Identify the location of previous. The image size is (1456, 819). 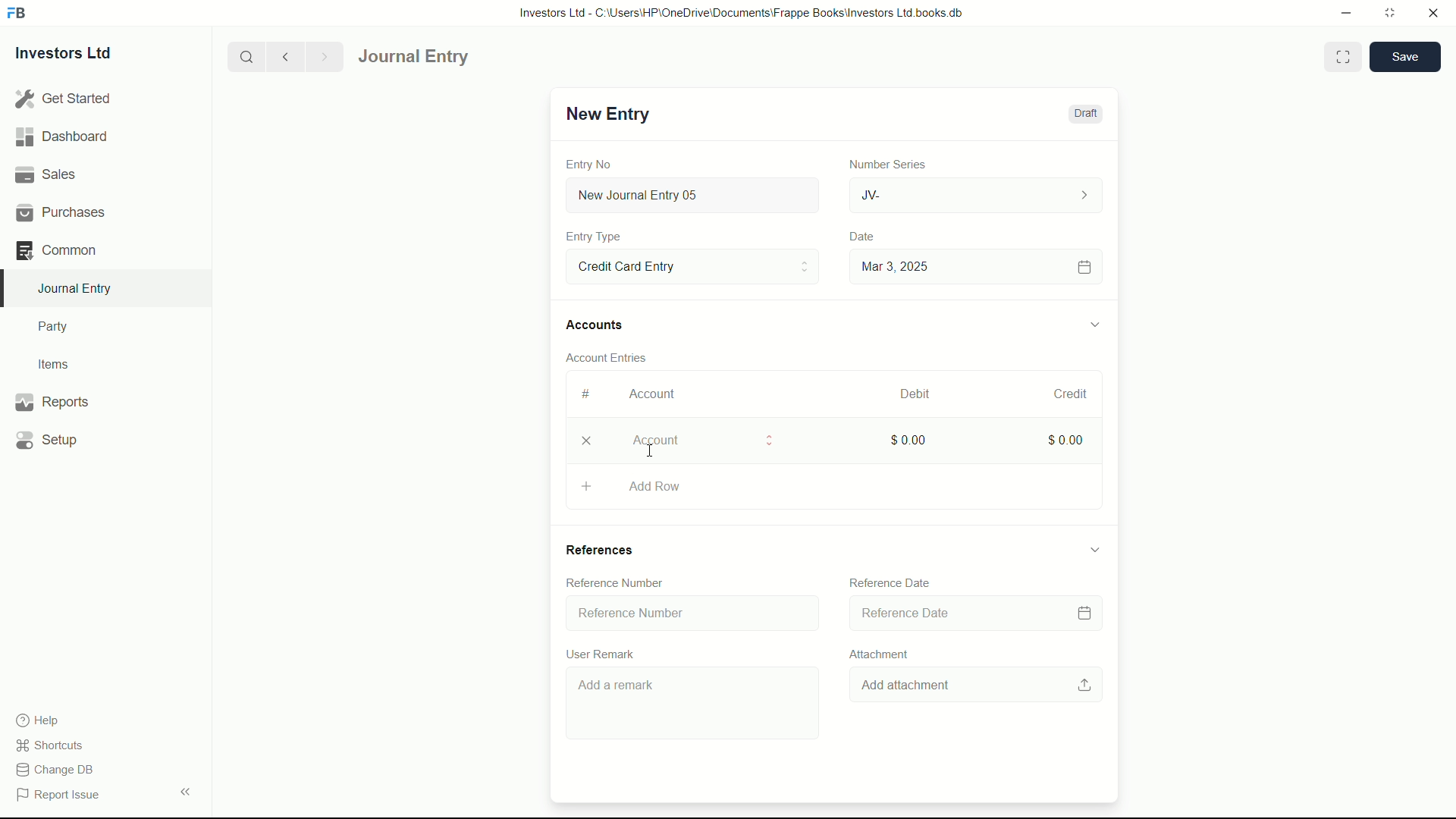
(284, 56).